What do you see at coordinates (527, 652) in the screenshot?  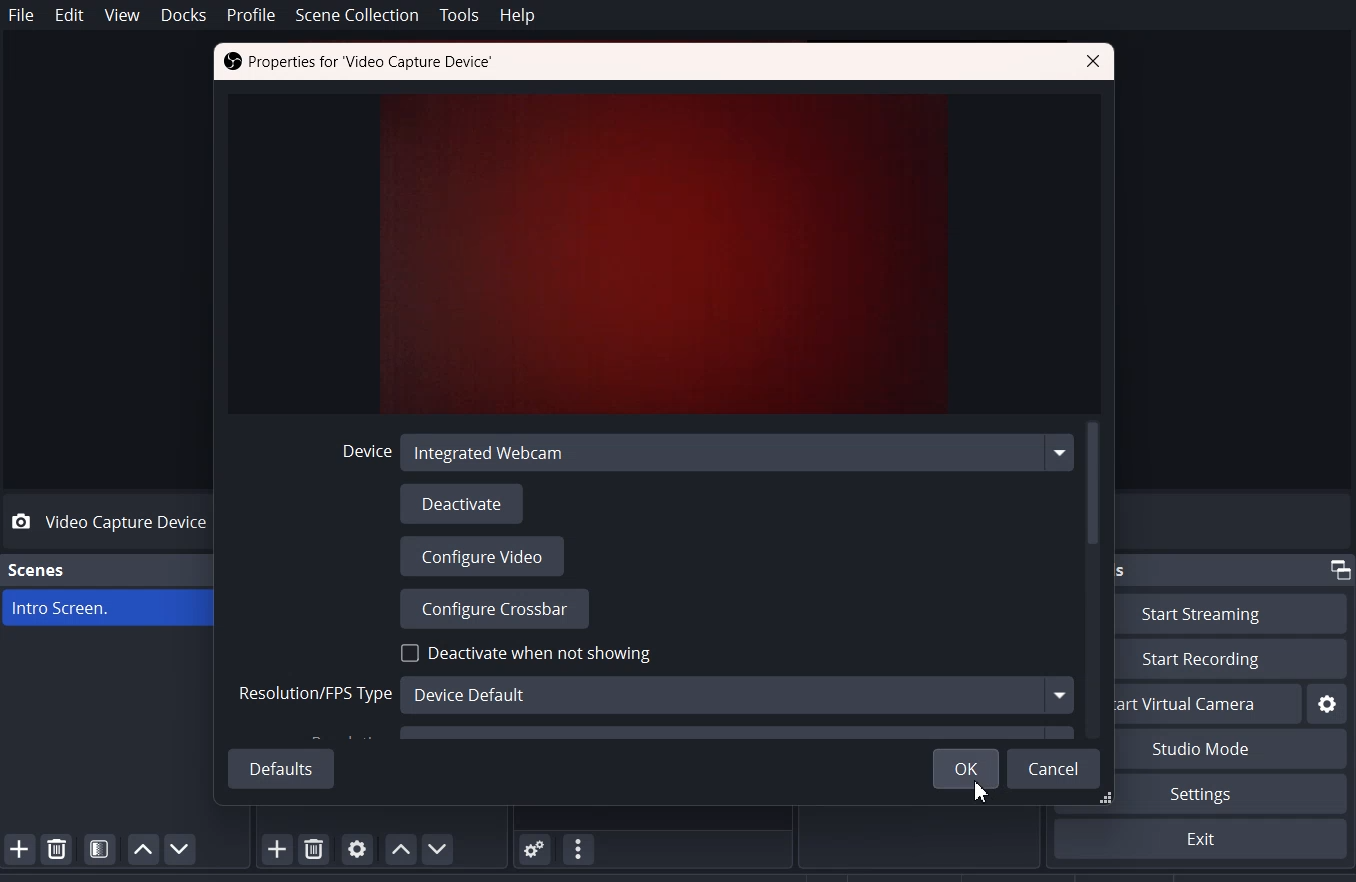 I see `Deactivate when not showing` at bounding box center [527, 652].